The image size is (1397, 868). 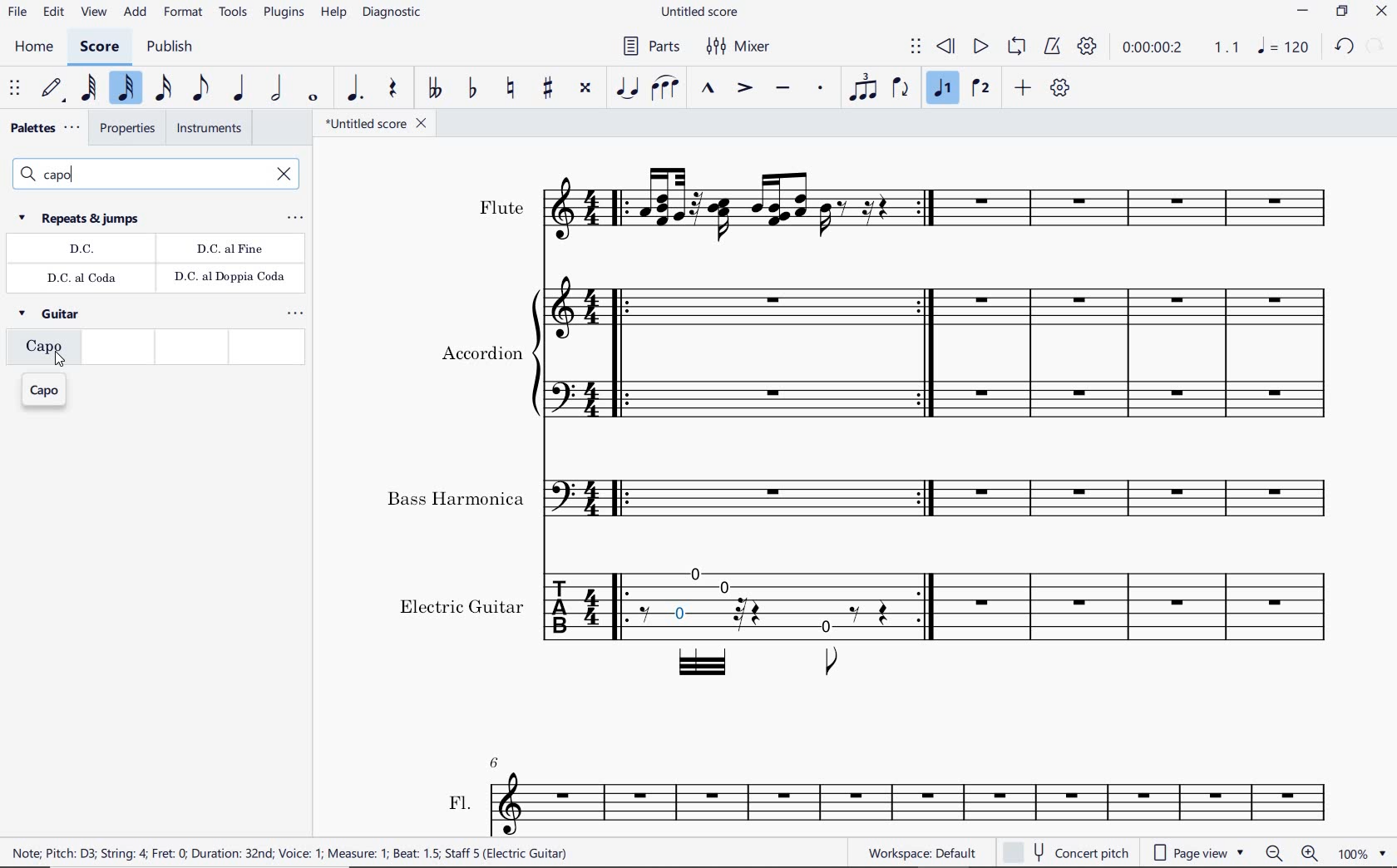 I want to click on repeats & jumps, so click(x=81, y=218).